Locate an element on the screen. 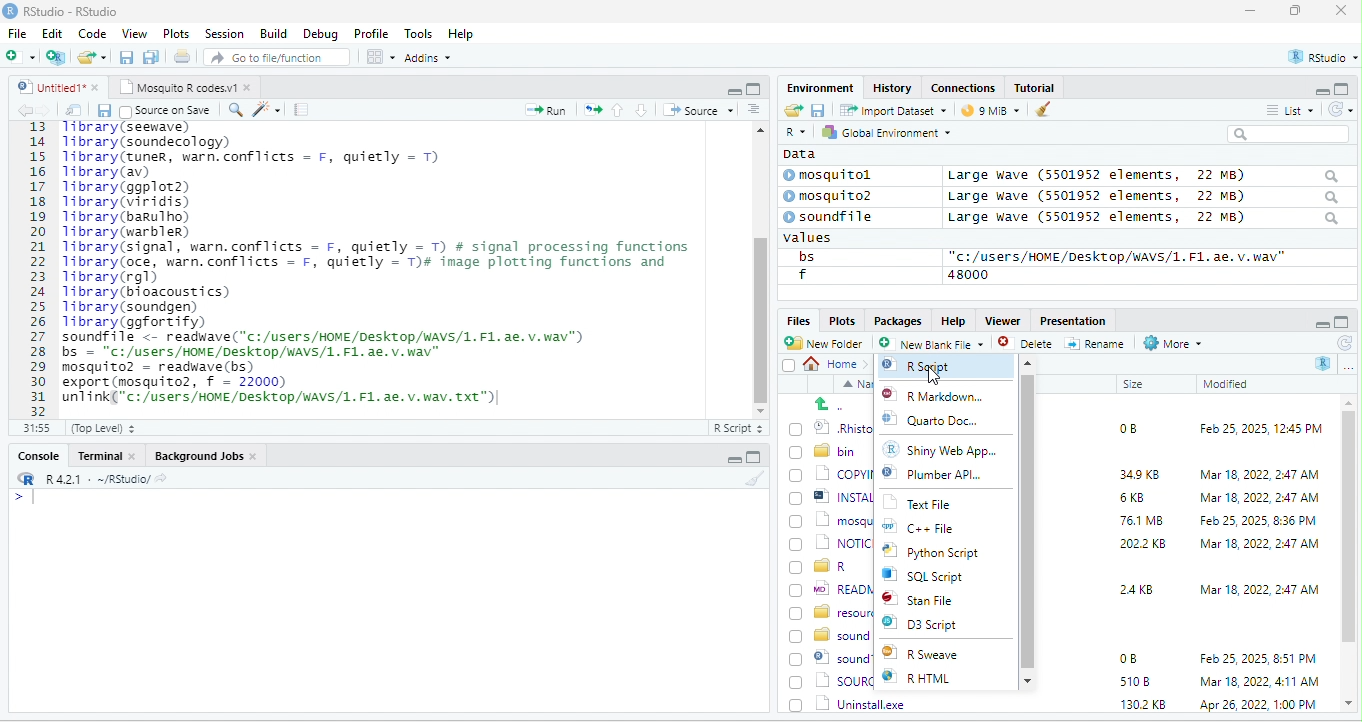  Edit is located at coordinates (54, 33).